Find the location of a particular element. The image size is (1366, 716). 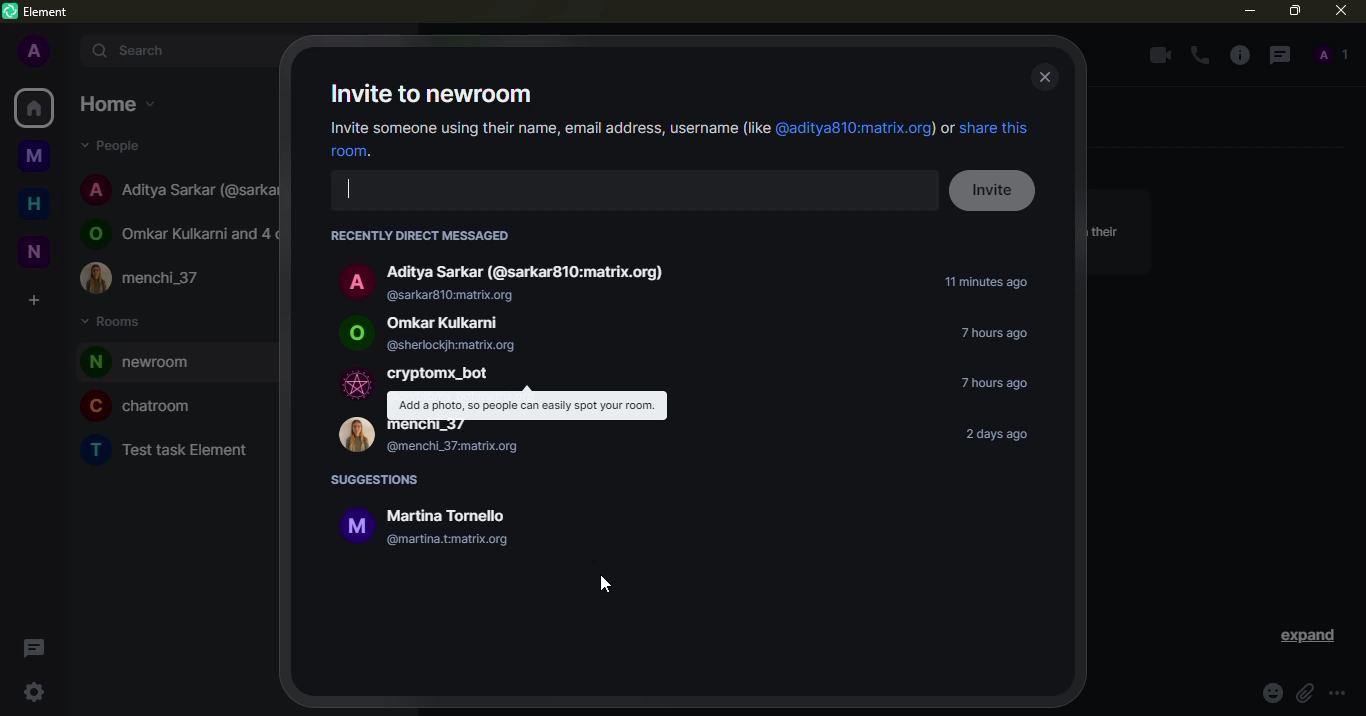

time is located at coordinates (1001, 434).